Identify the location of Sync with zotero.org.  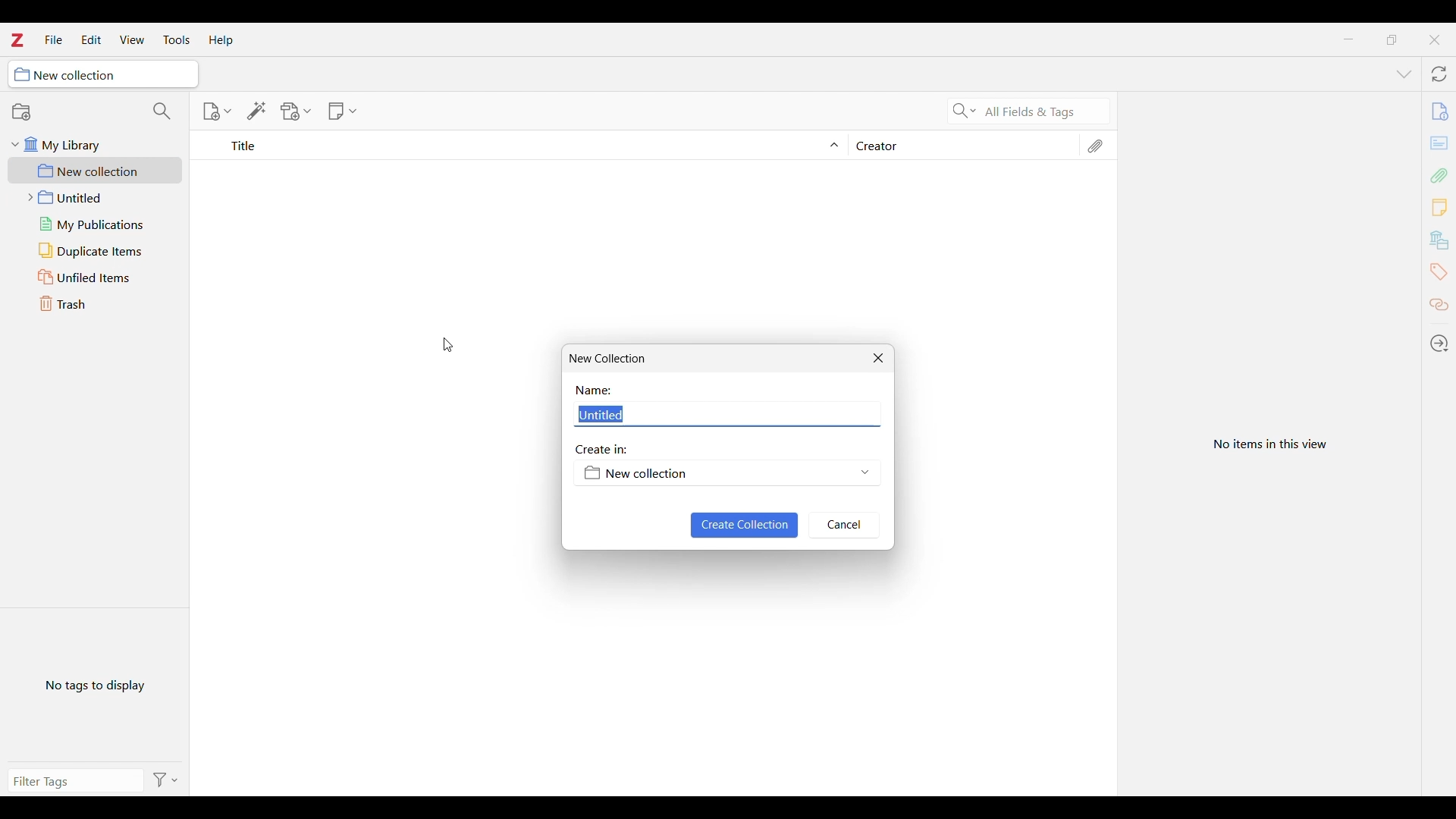
(1439, 74).